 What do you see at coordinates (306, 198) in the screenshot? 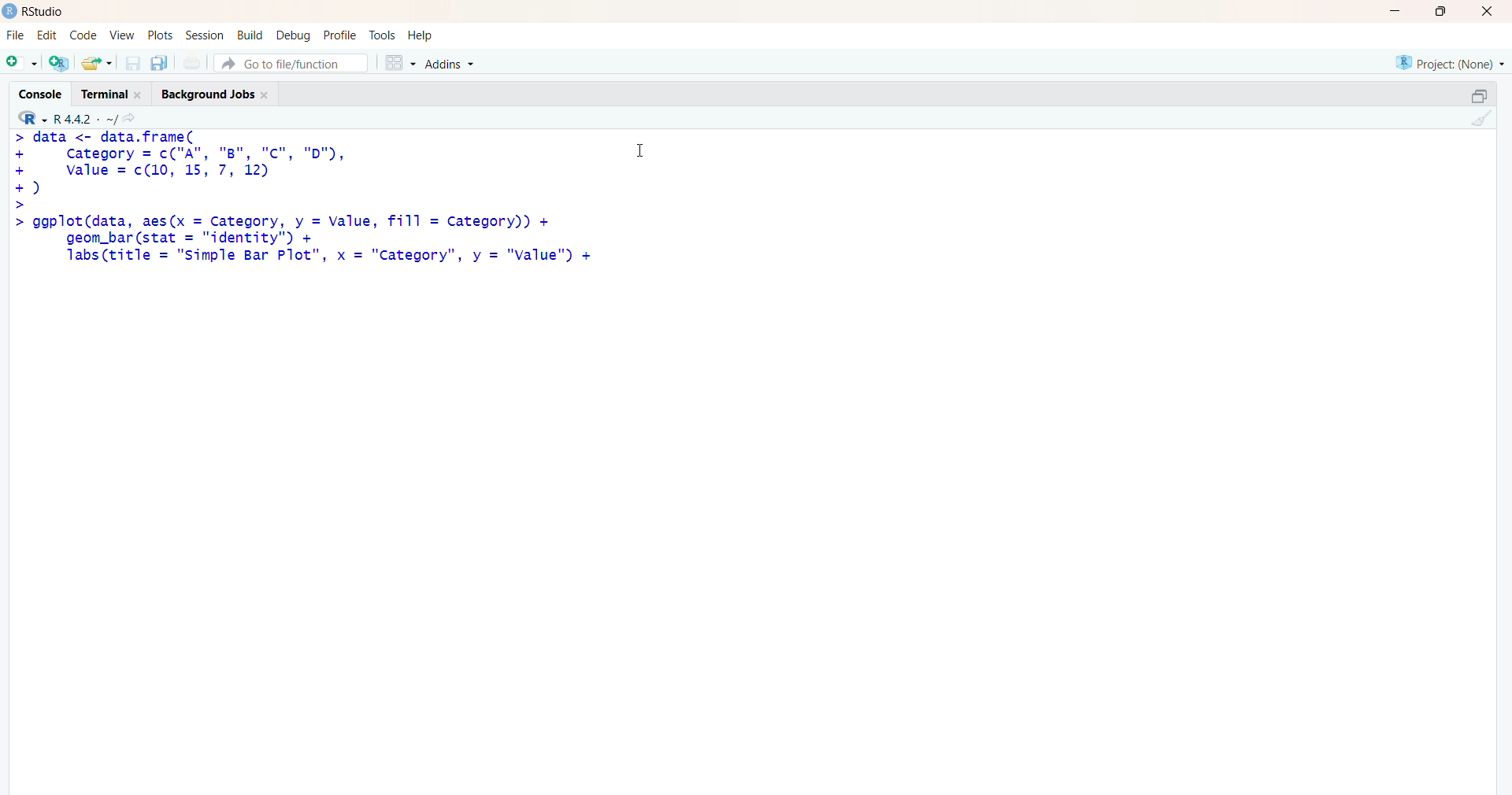
I see `code - > data <- data.frame(+ category = c("A", "B", "Cc", "D"),+ value = c(10 12)© asic>> ggplot(data, aes(x = Category, y = Value, fill = category))` at bounding box center [306, 198].